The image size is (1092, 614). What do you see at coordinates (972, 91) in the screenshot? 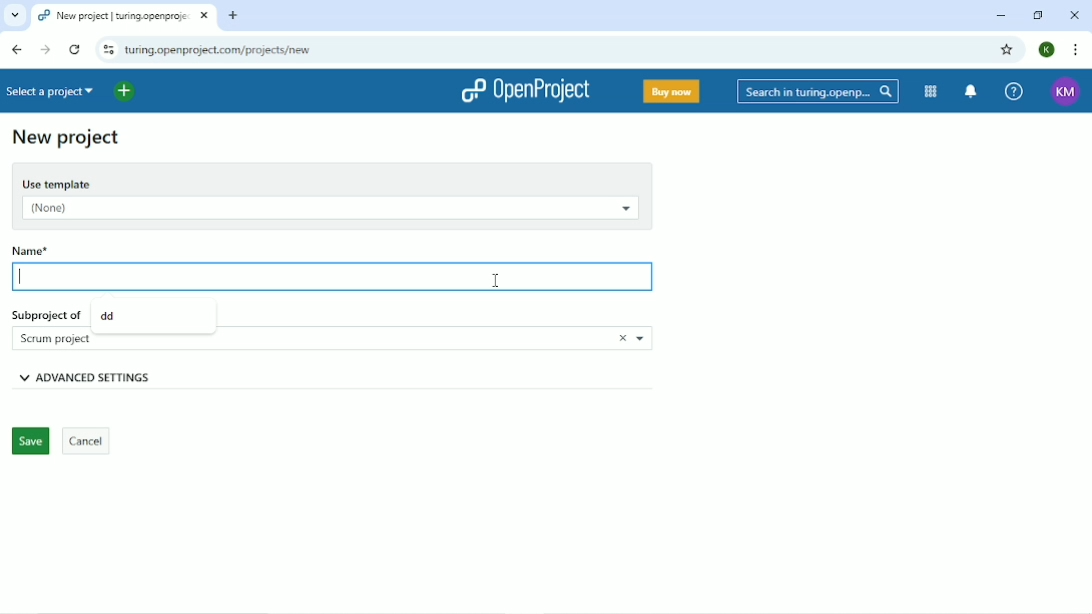
I see `To notification center` at bounding box center [972, 91].